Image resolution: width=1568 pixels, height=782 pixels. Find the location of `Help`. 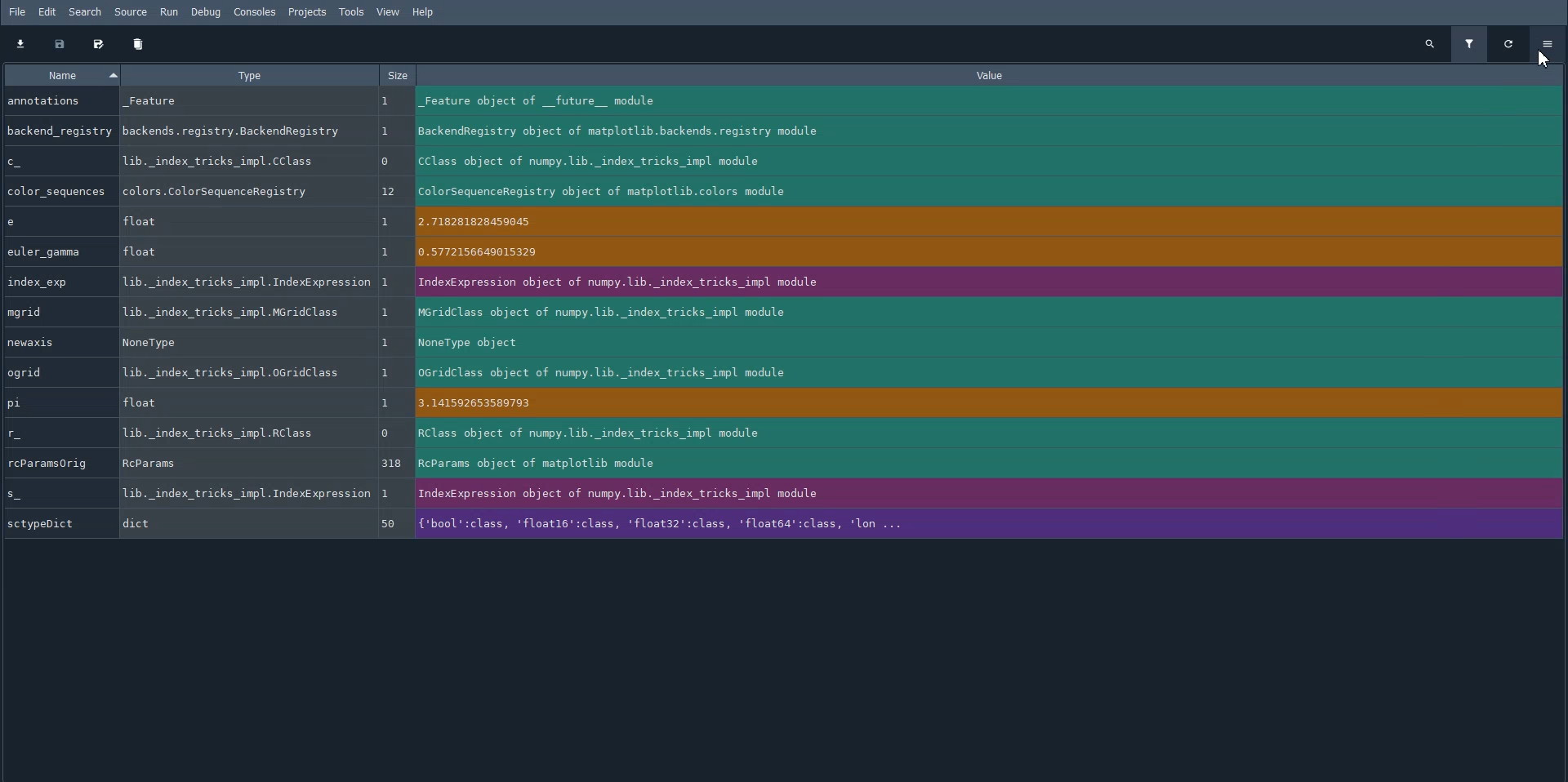

Help is located at coordinates (425, 13).